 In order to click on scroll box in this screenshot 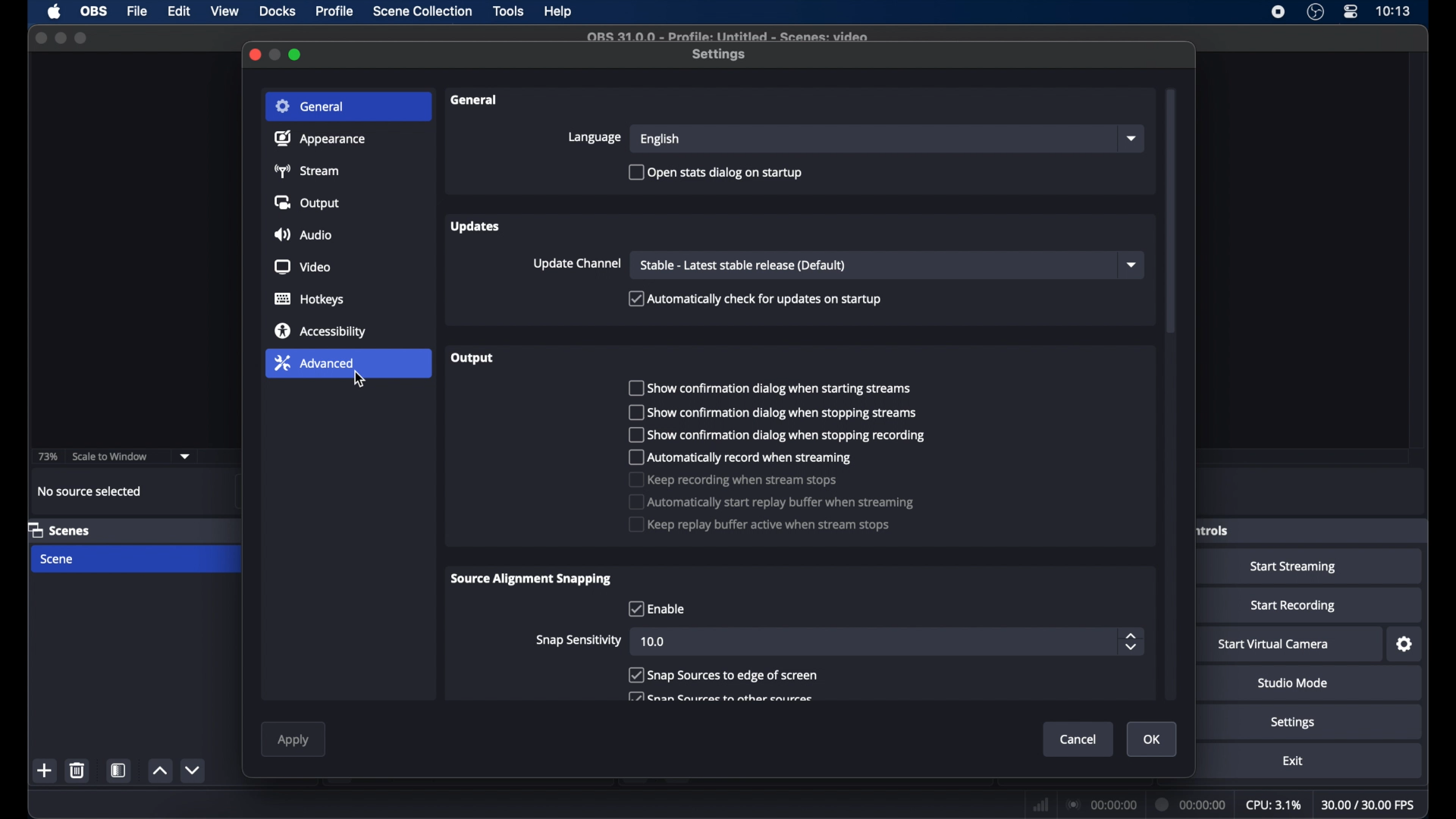, I will do `click(1170, 213)`.